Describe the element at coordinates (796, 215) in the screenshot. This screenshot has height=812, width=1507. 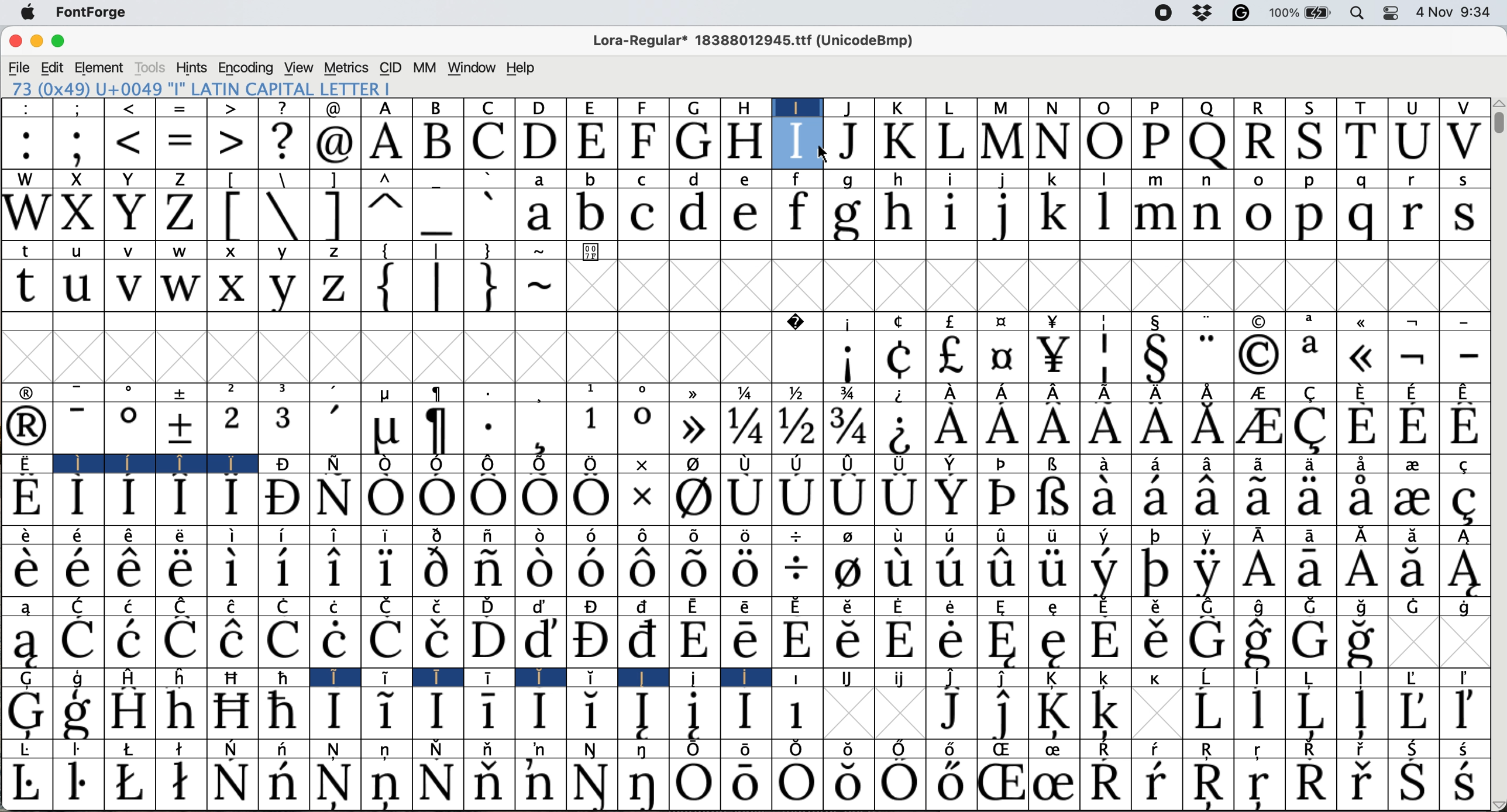
I see `f` at that location.